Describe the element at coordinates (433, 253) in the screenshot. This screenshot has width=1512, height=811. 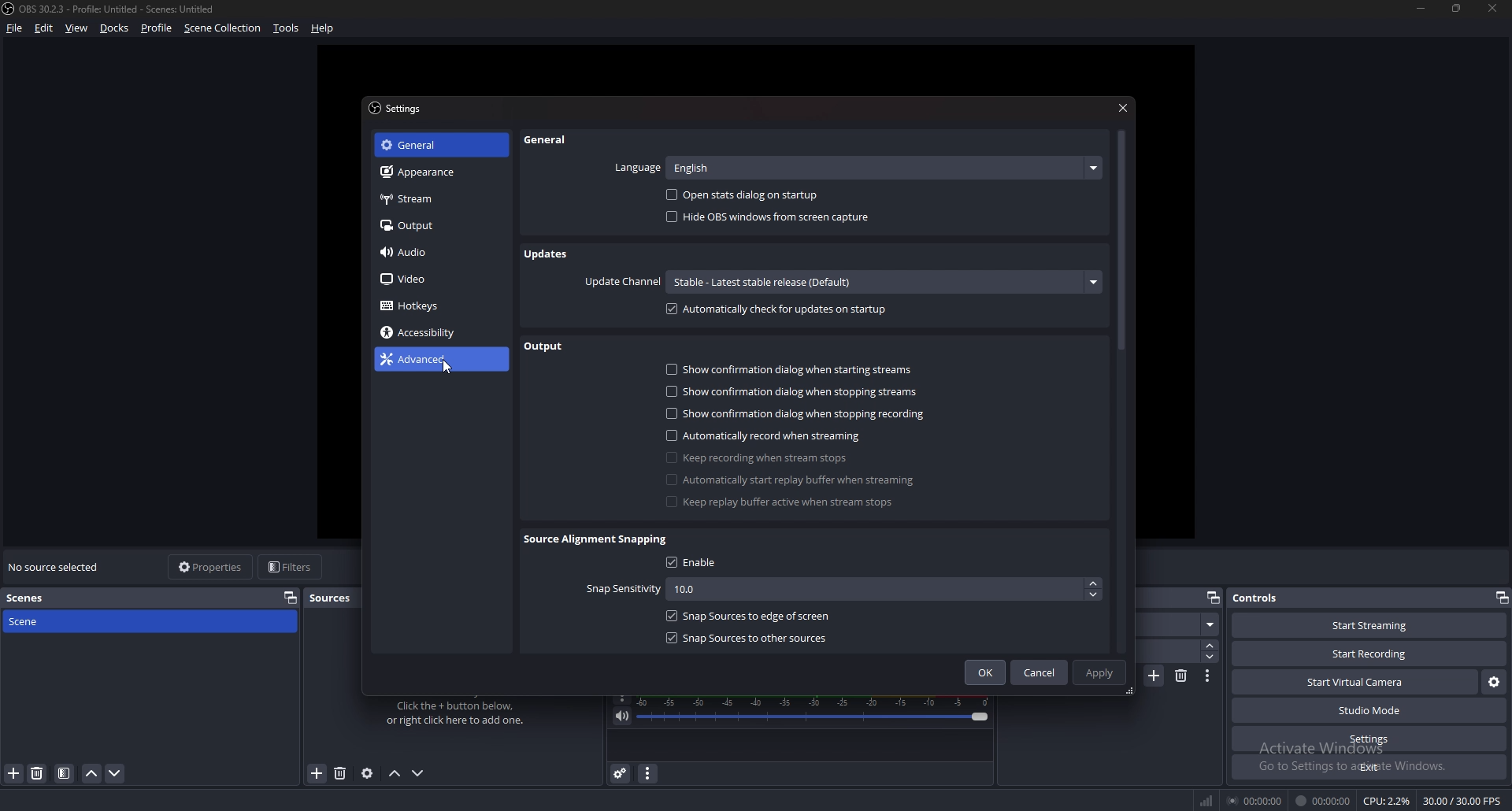
I see `Audio` at that location.